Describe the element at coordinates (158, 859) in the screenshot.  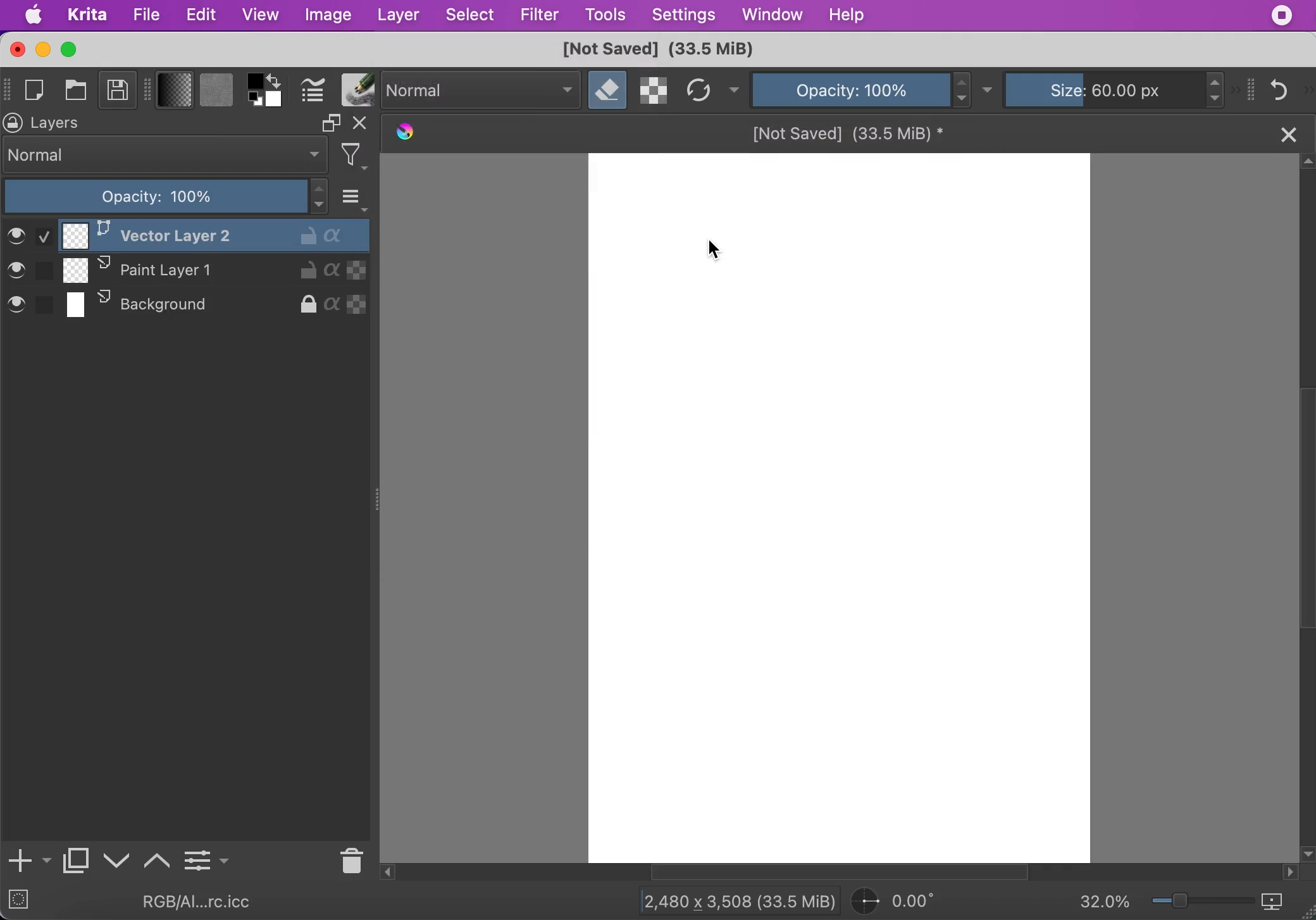
I see `move layer or mask up` at that location.